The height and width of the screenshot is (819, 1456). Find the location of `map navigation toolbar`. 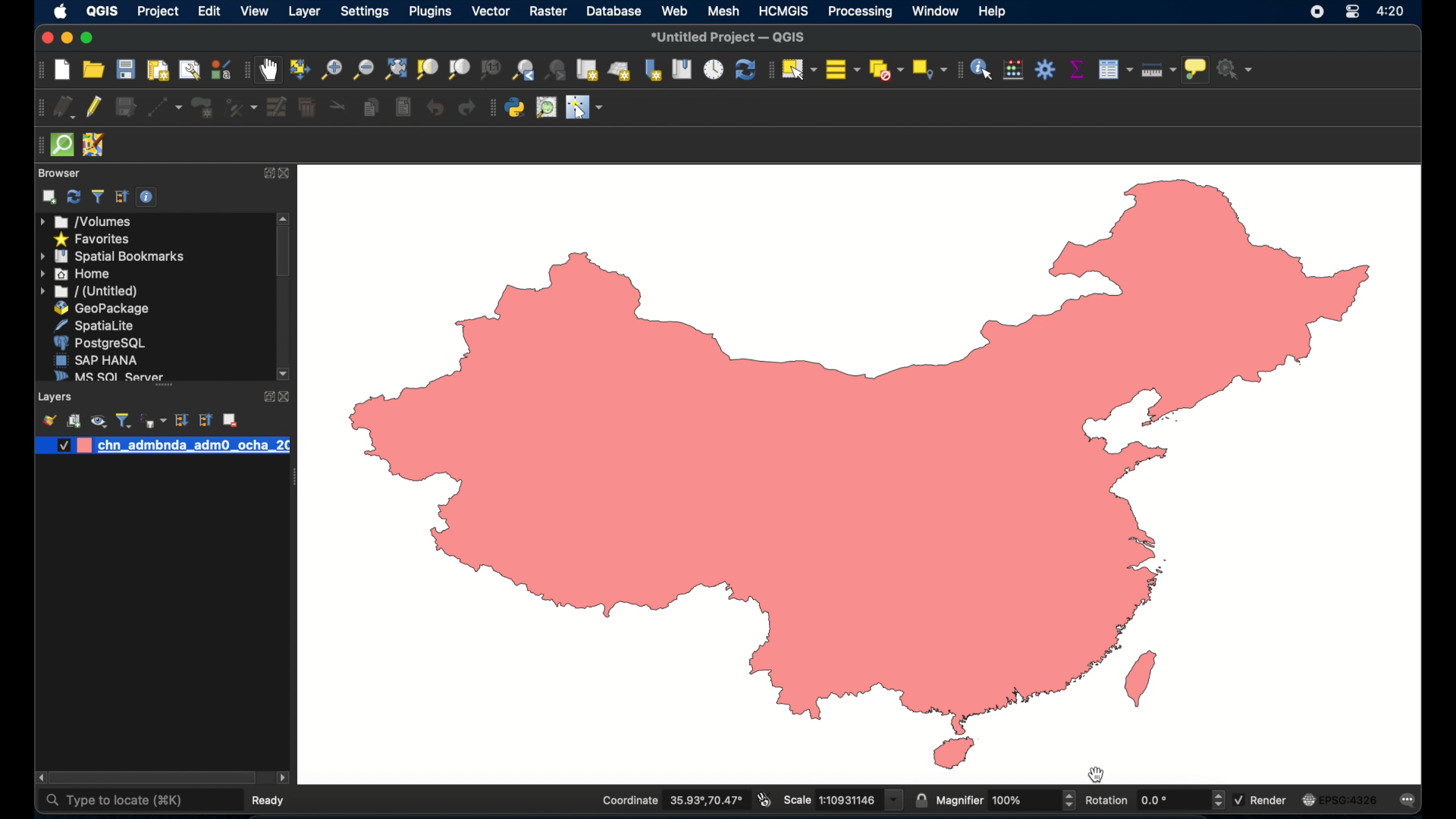

map navigation toolbar is located at coordinates (246, 71).